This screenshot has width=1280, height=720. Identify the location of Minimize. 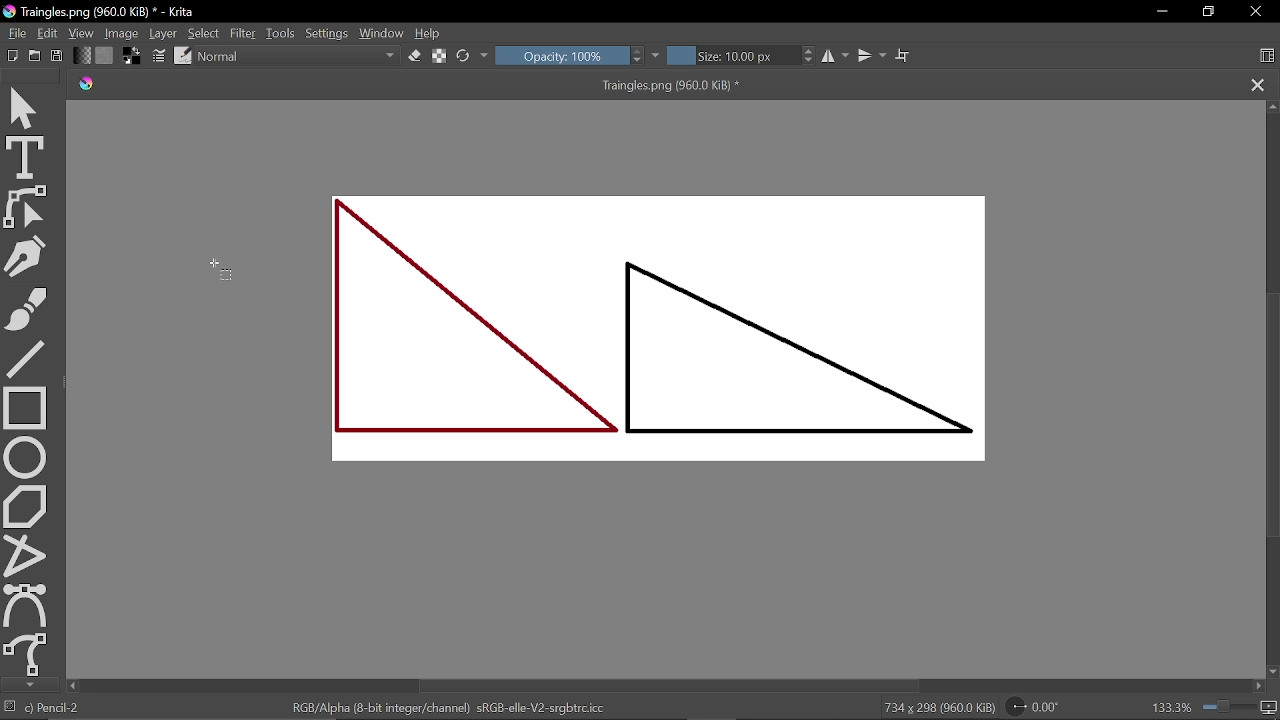
(1161, 12).